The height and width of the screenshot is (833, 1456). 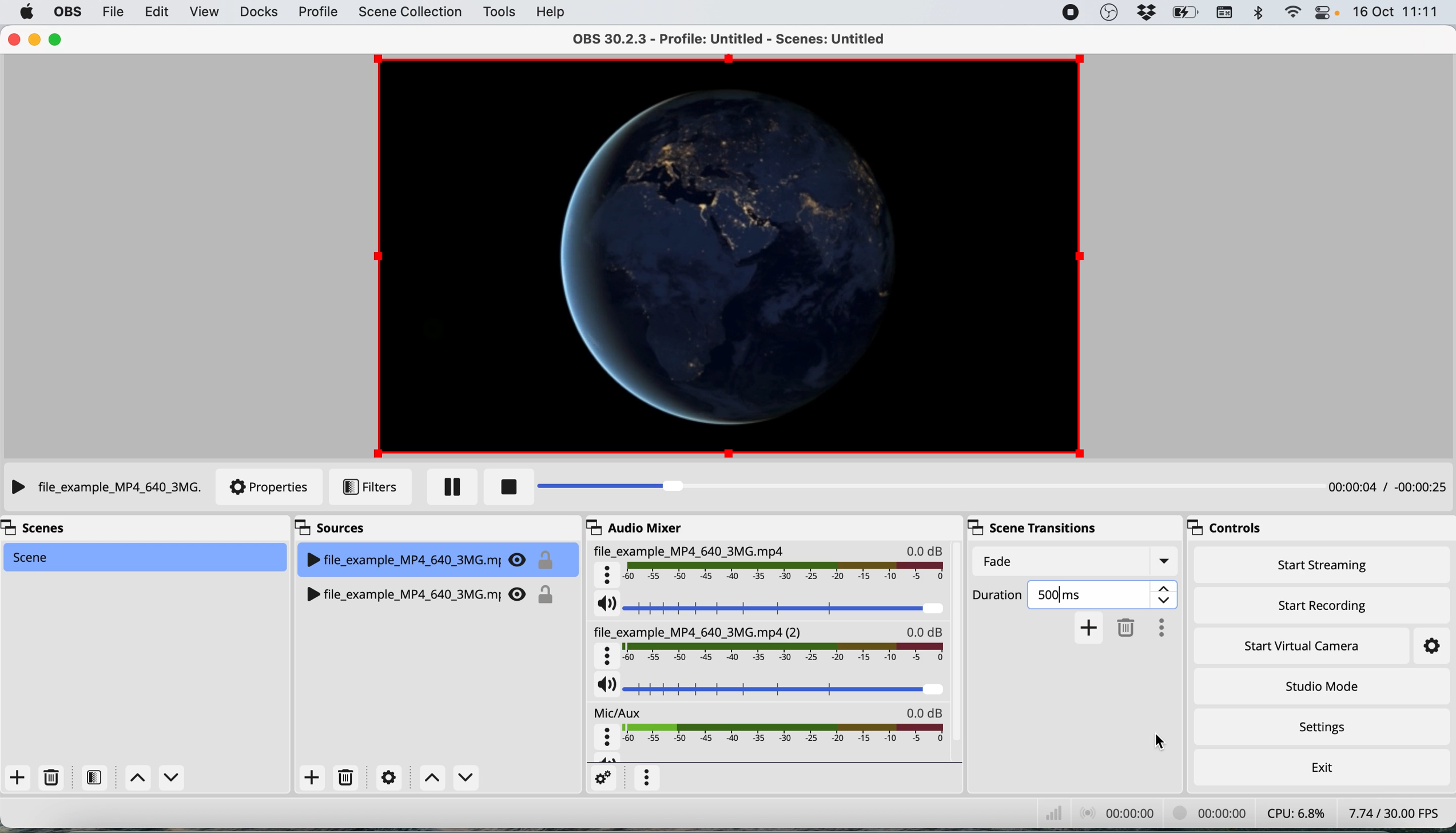 What do you see at coordinates (258, 14) in the screenshot?
I see `docks` at bounding box center [258, 14].